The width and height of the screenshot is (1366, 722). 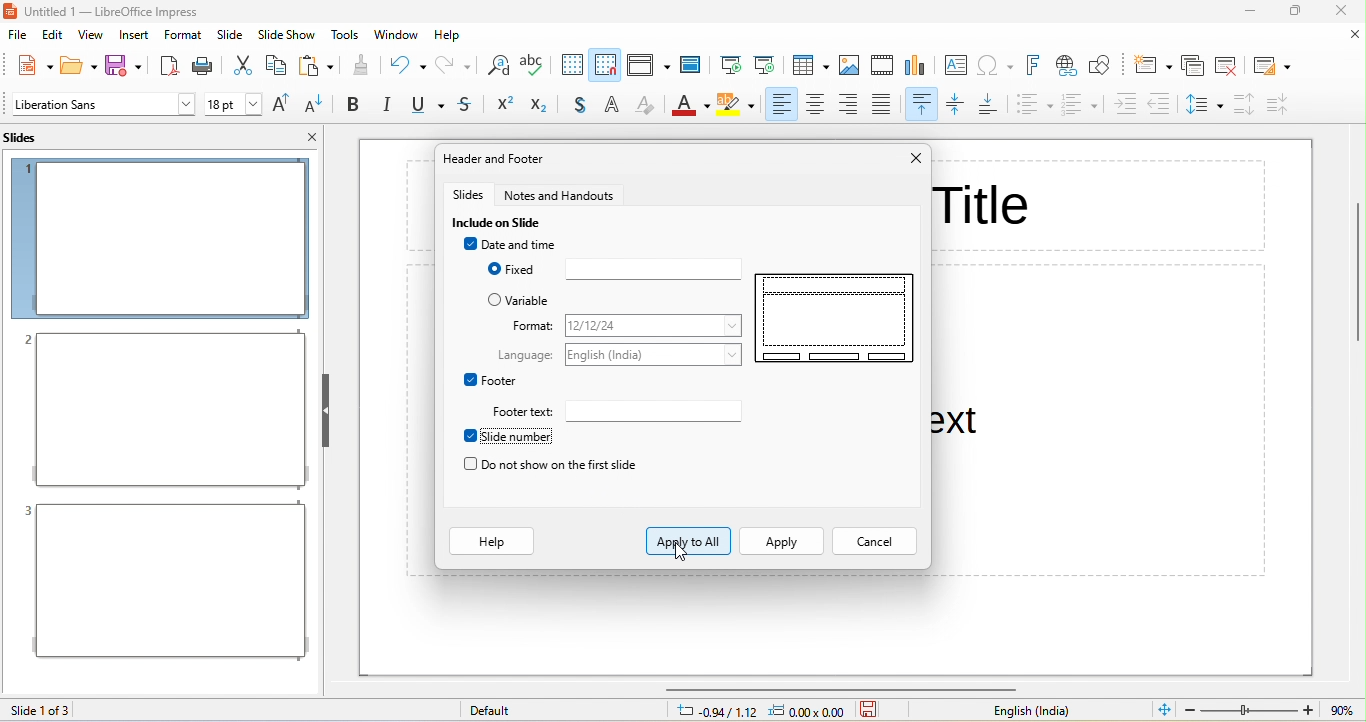 What do you see at coordinates (695, 64) in the screenshot?
I see `master slide` at bounding box center [695, 64].